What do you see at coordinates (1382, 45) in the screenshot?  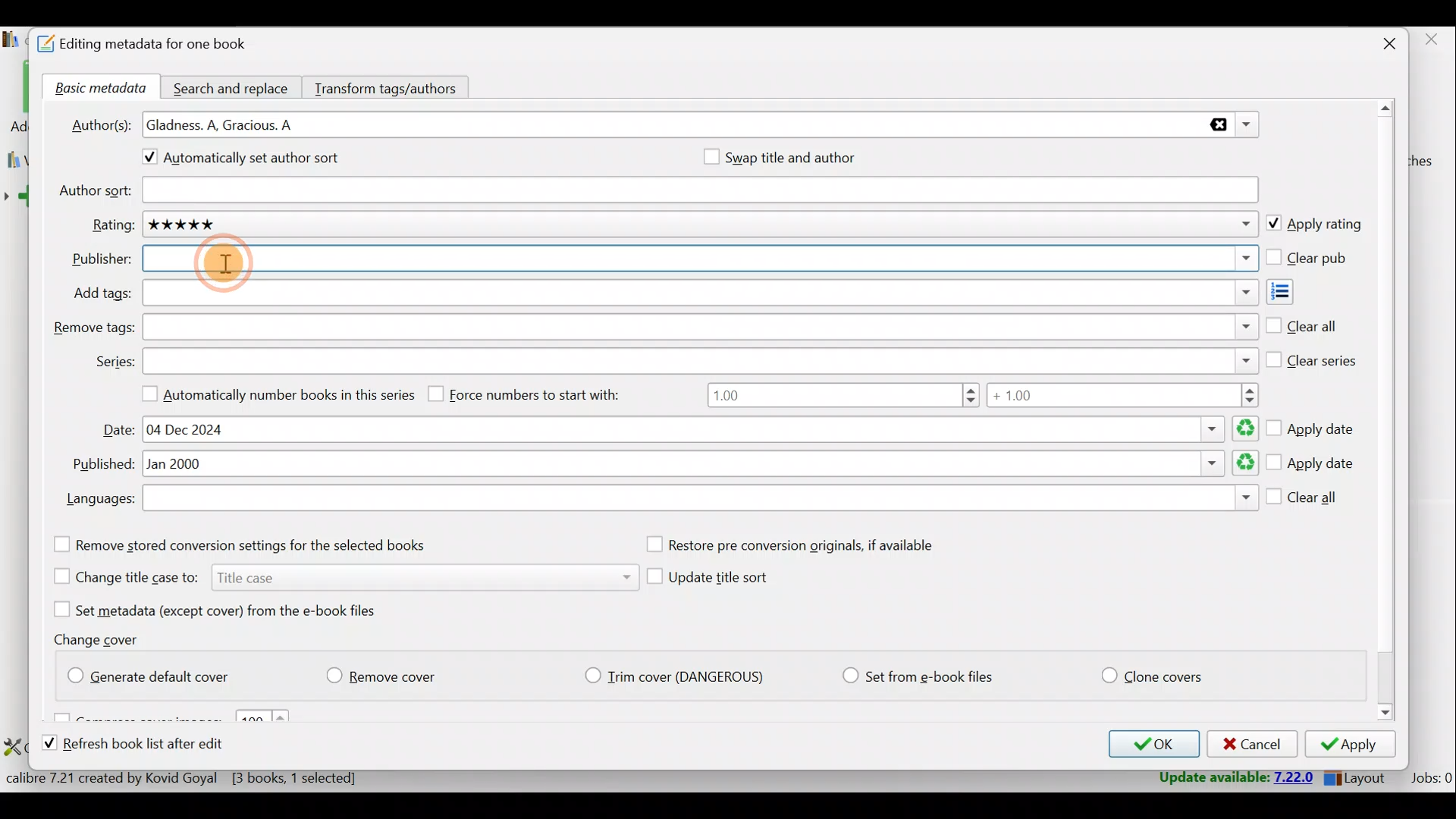 I see `Close` at bounding box center [1382, 45].